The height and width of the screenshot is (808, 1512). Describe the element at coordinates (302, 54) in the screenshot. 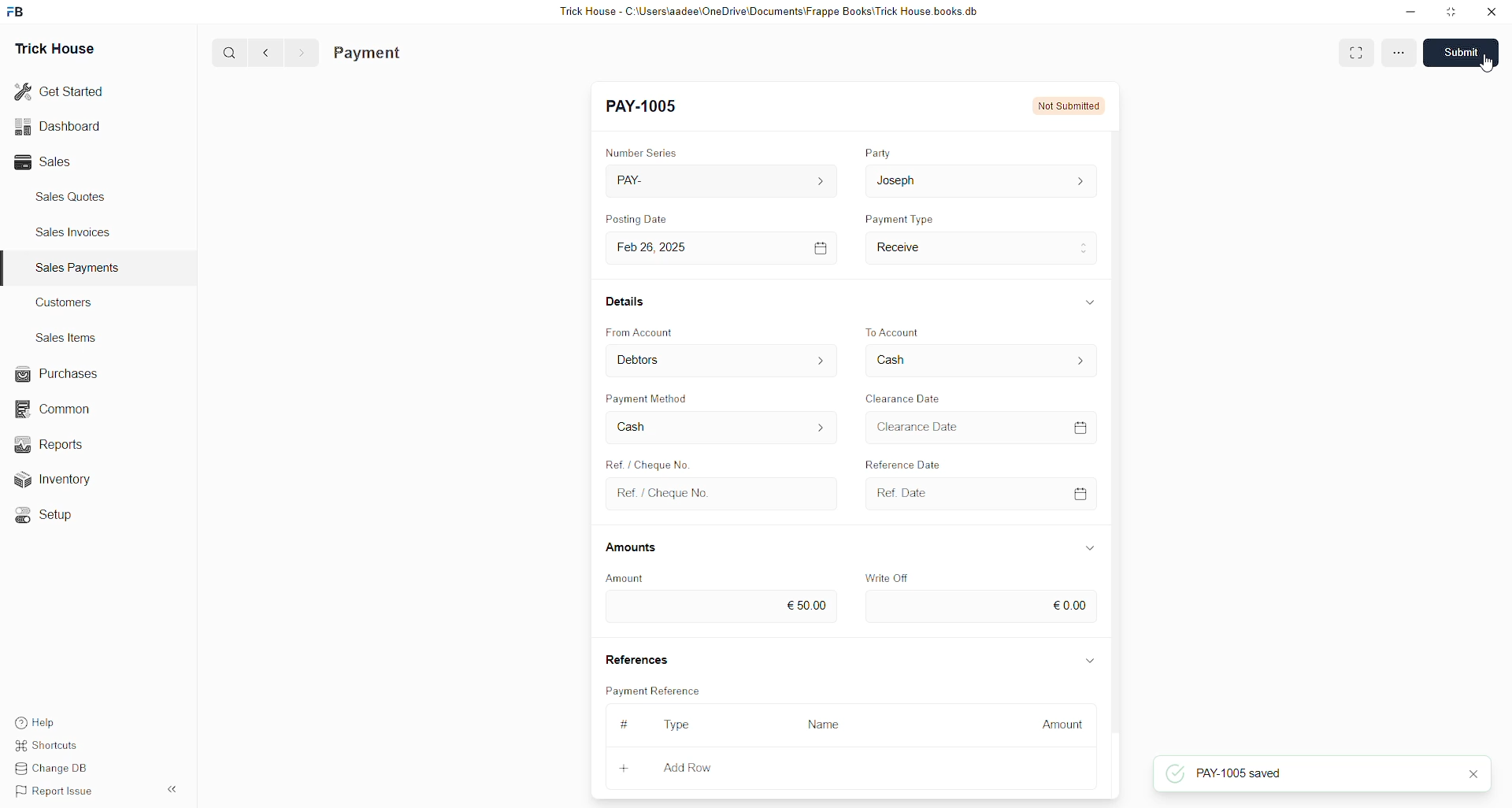

I see `Forward` at that location.